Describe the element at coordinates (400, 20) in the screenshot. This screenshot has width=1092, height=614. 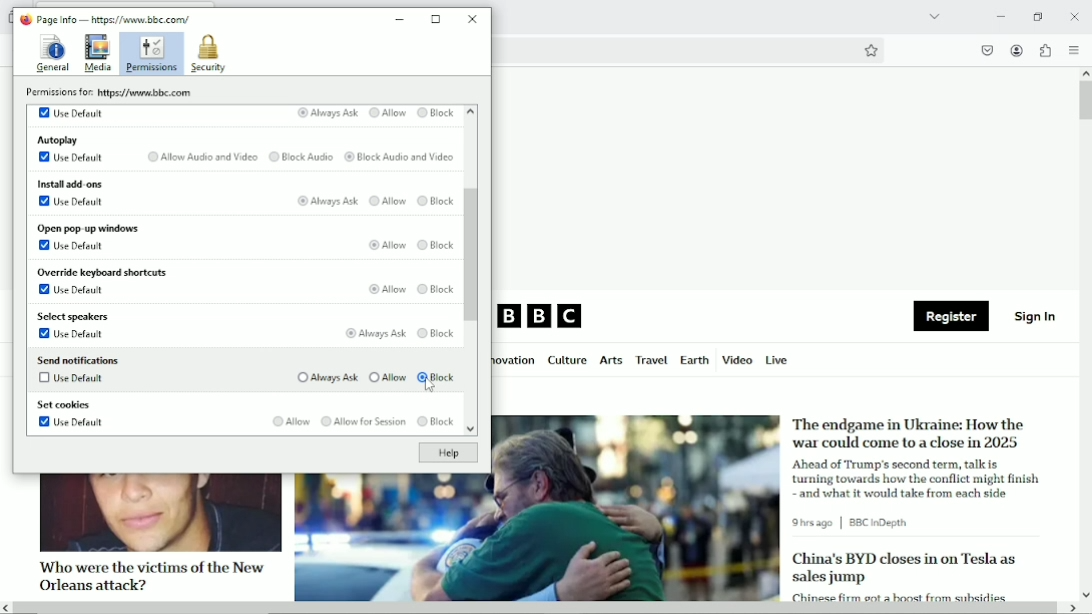
I see `minimize` at that location.